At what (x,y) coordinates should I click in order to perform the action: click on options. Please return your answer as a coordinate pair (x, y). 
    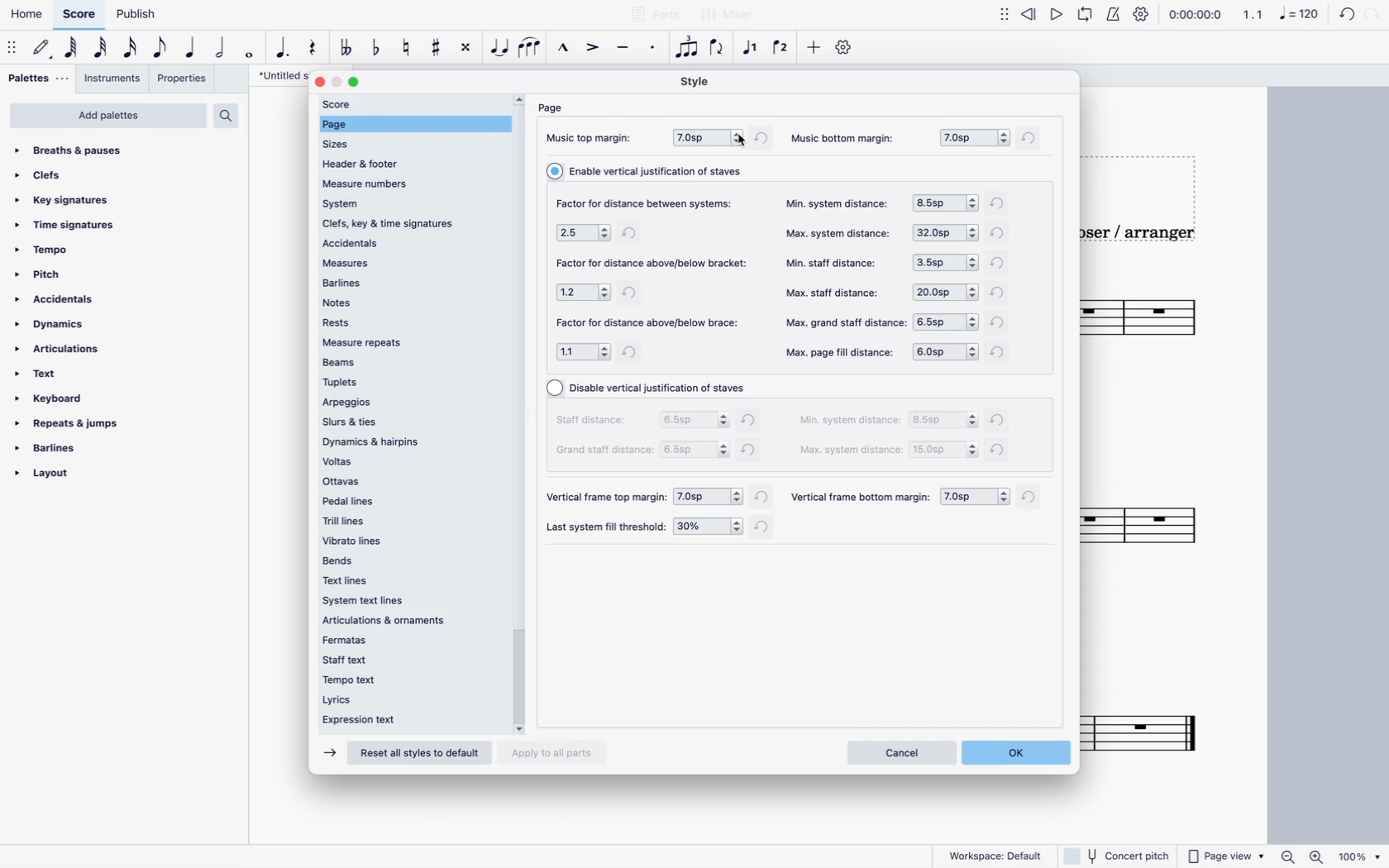
    Looking at the image, I should click on (944, 235).